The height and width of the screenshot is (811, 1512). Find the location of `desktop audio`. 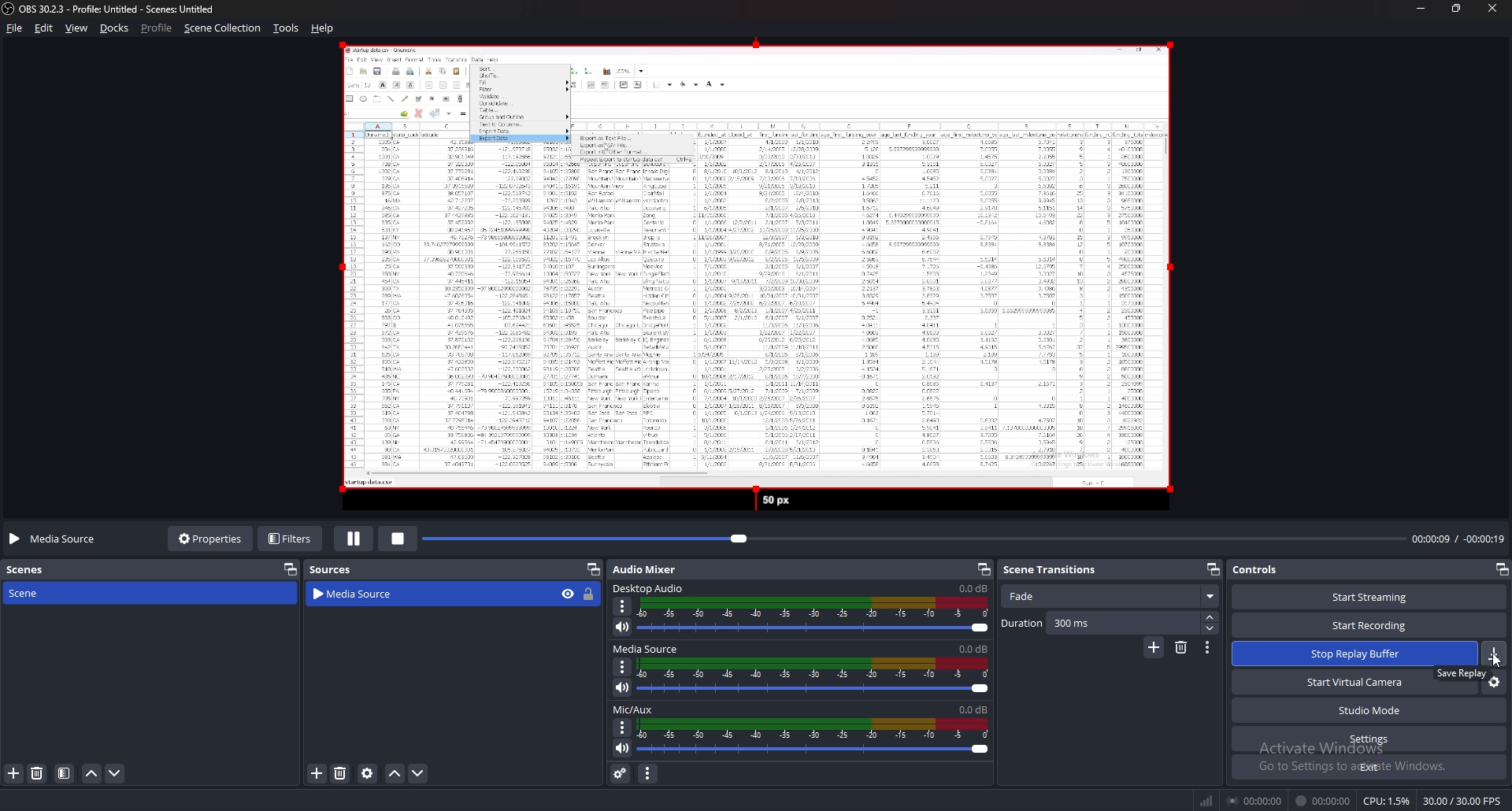

desktop audio is located at coordinates (651, 588).